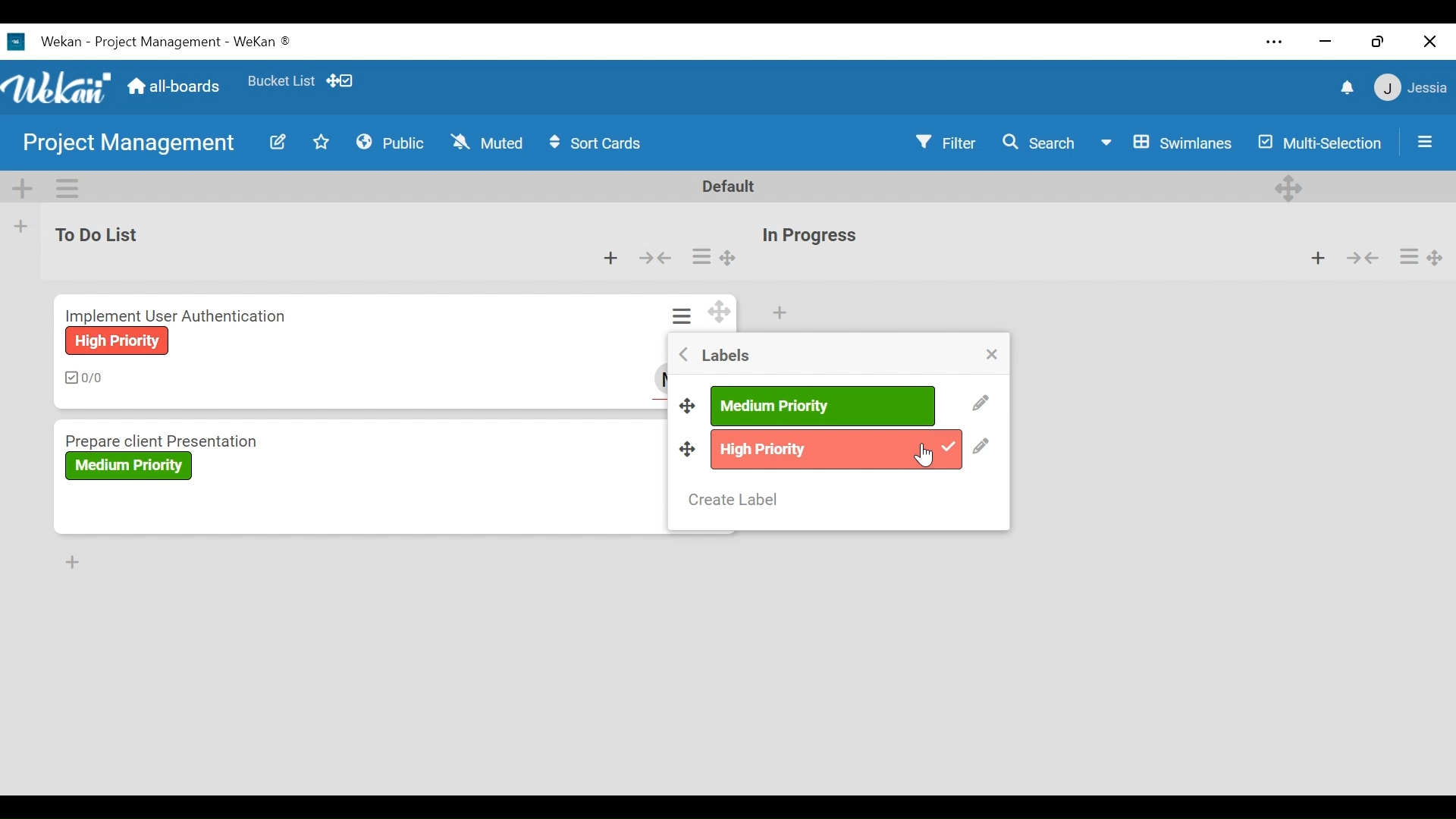 The height and width of the screenshot is (819, 1456). Describe the element at coordinates (69, 186) in the screenshot. I see `Swimlane actions` at that location.